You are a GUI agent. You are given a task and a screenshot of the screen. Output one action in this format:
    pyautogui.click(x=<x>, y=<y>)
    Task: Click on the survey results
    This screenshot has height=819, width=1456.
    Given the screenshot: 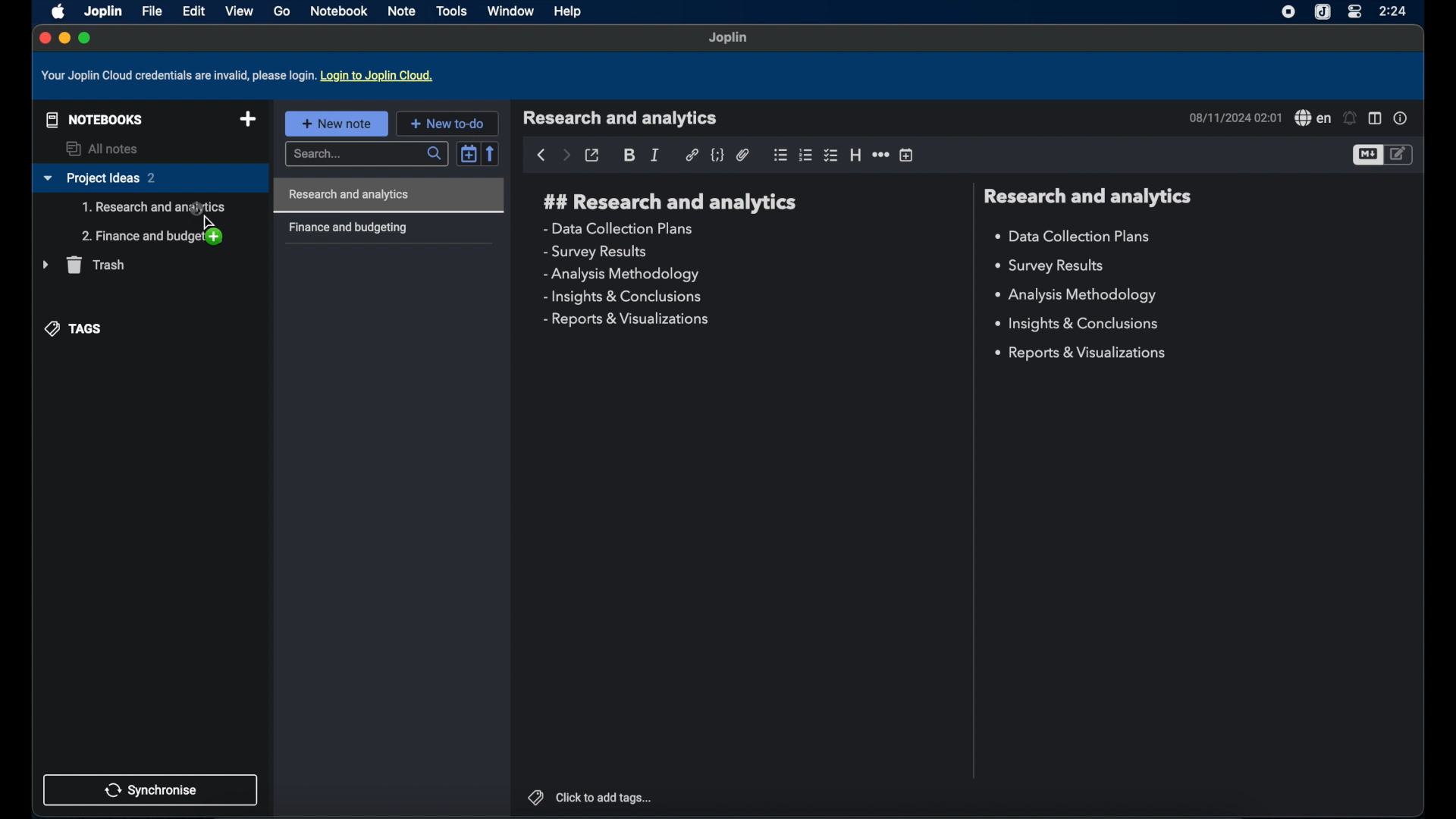 What is the action you would take?
    pyautogui.click(x=1056, y=266)
    